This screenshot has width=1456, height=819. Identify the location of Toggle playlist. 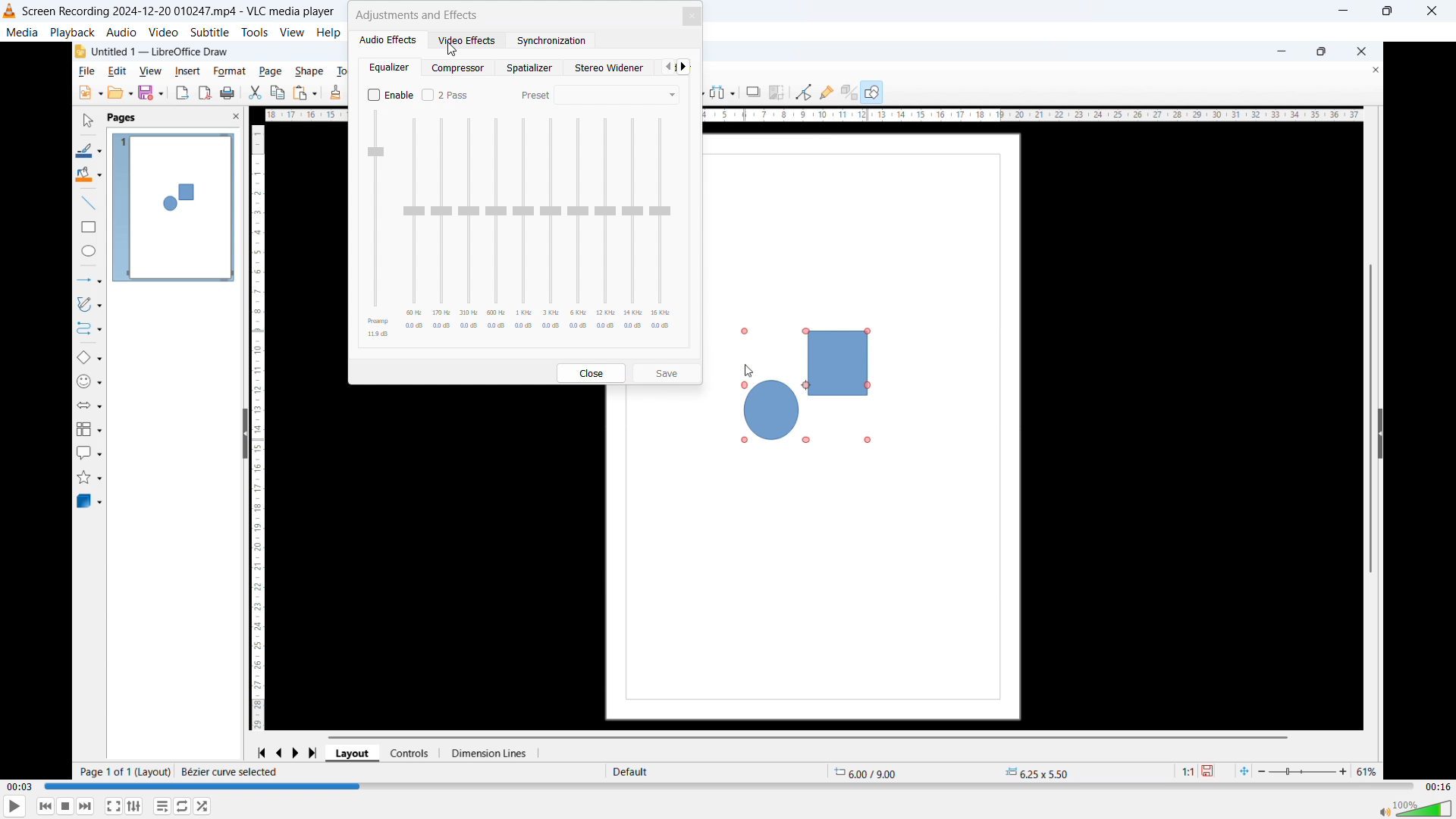
(162, 806).